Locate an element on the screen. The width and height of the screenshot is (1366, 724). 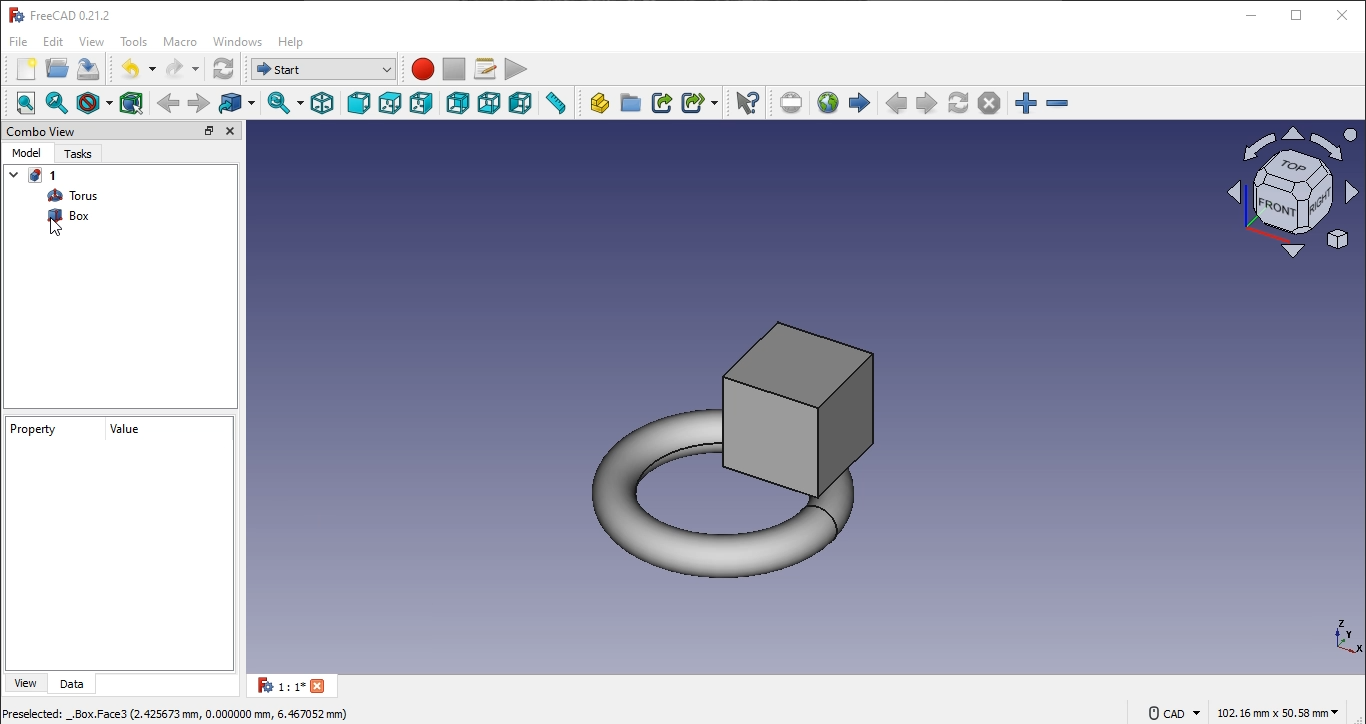
edit is located at coordinates (55, 42).